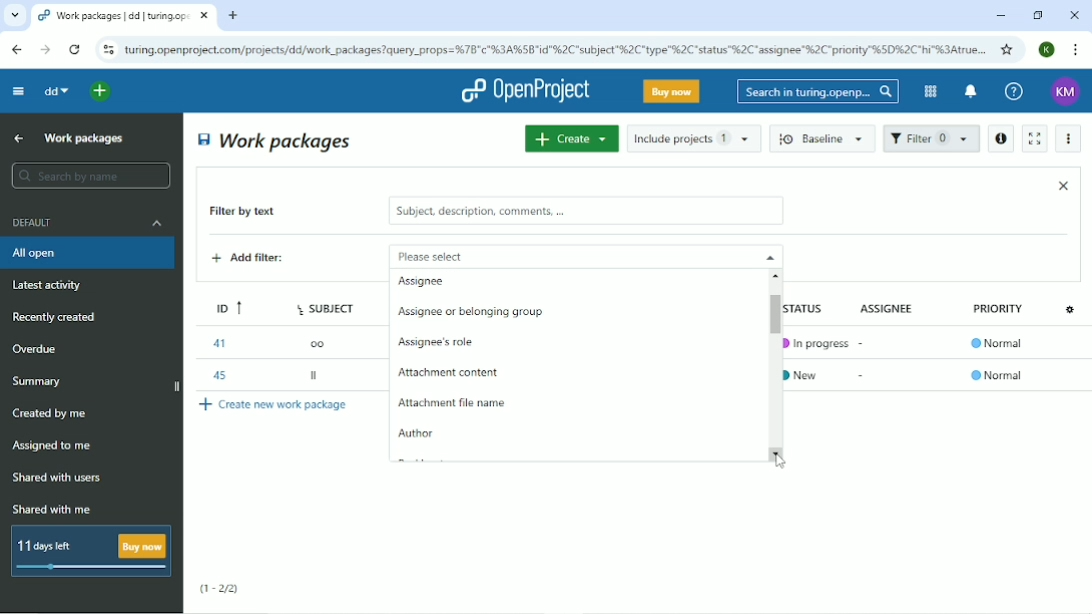 The image size is (1092, 614). Describe the element at coordinates (90, 176) in the screenshot. I see `Search by name` at that location.